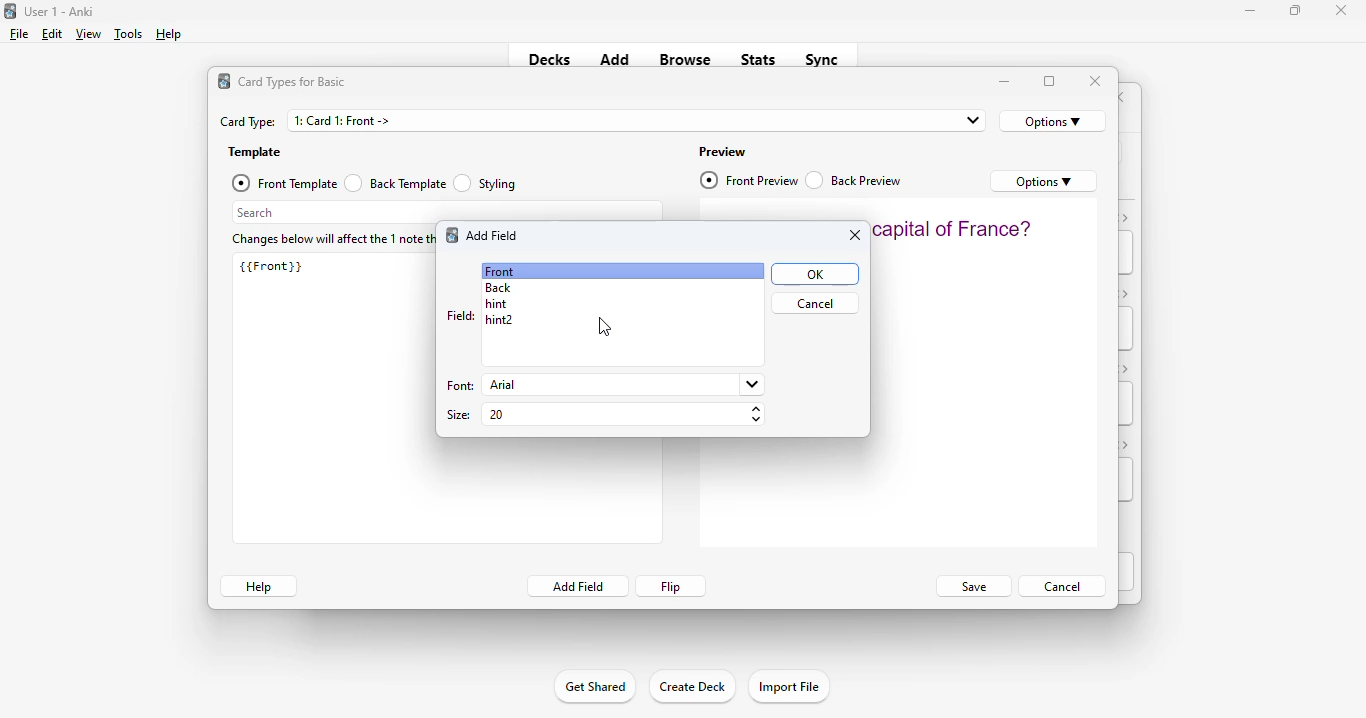 This screenshot has height=718, width=1366. Describe the element at coordinates (723, 152) in the screenshot. I see `preview` at that location.